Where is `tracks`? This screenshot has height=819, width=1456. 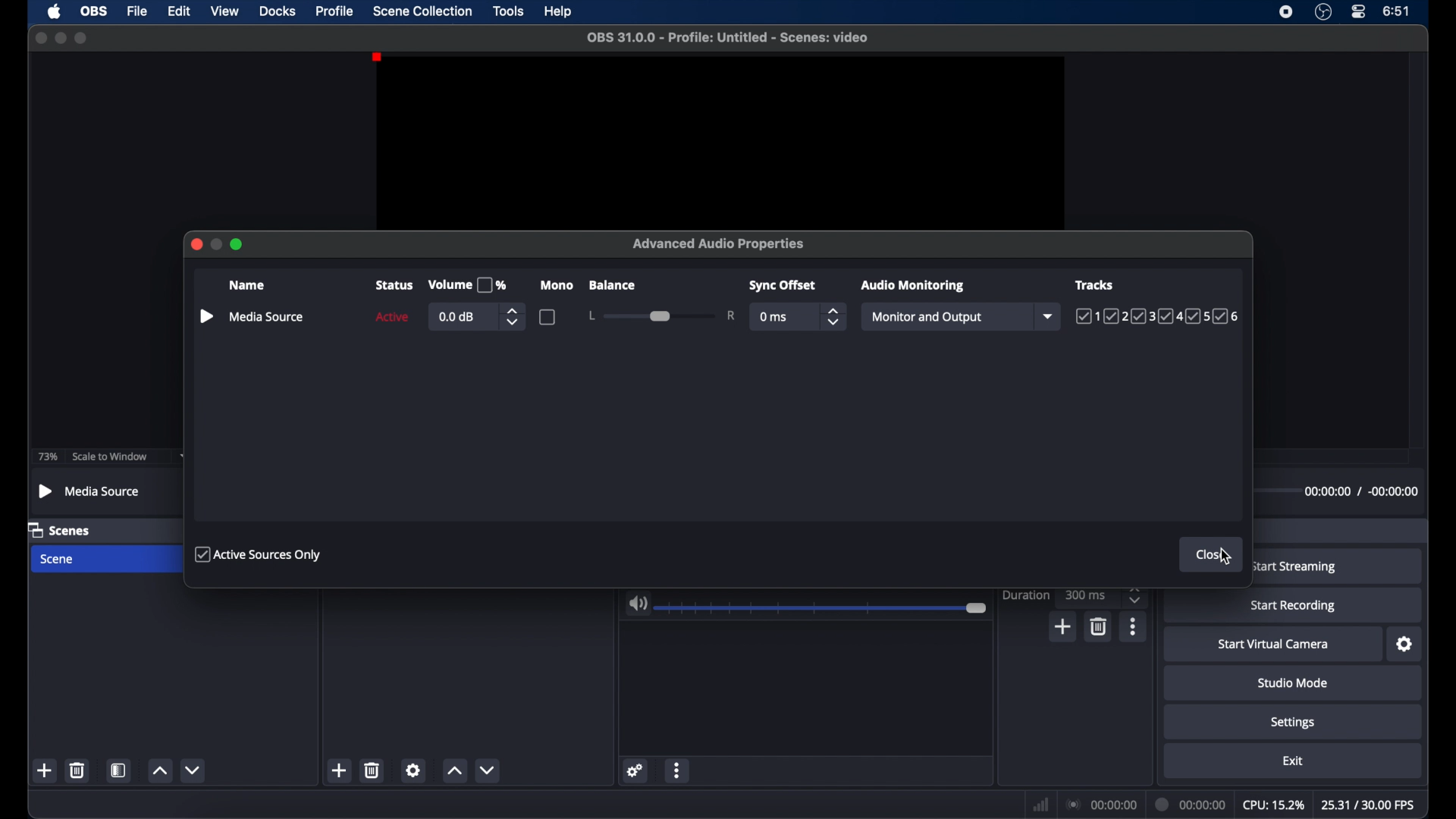
tracks is located at coordinates (1095, 285).